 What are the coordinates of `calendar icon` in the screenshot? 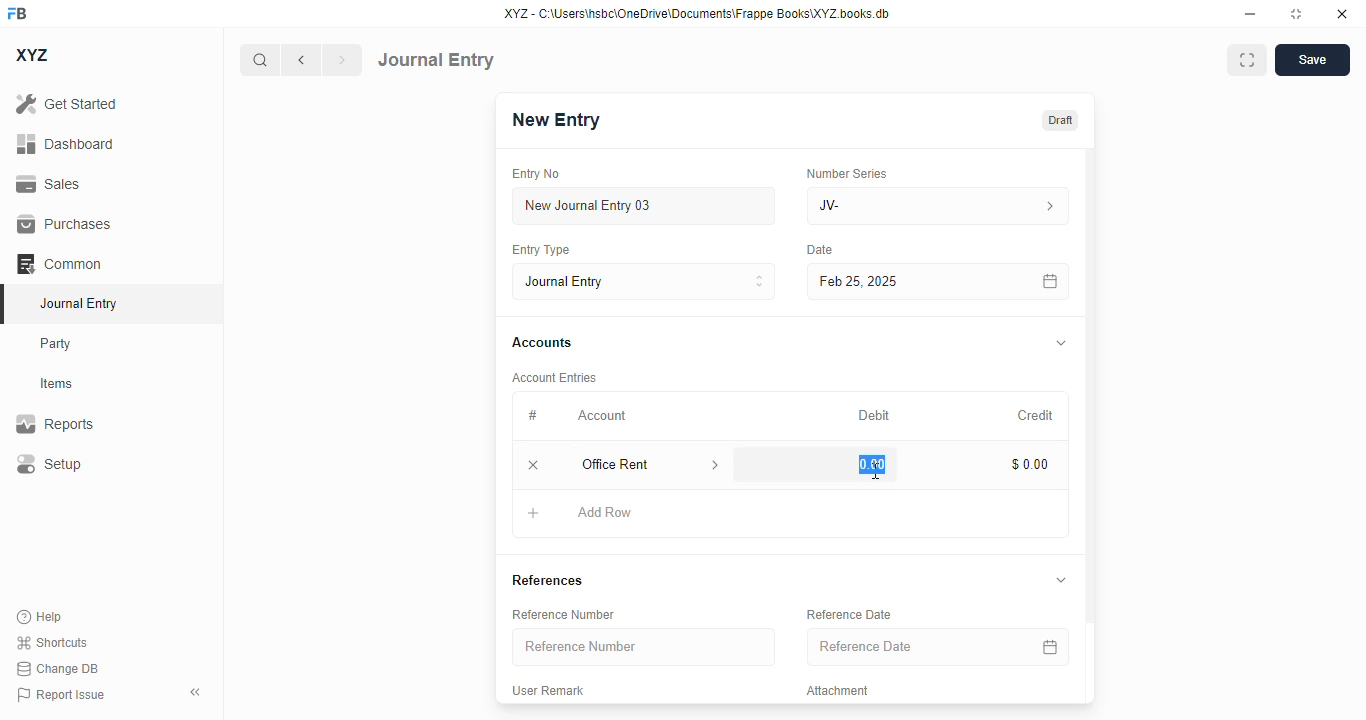 It's located at (1051, 282).